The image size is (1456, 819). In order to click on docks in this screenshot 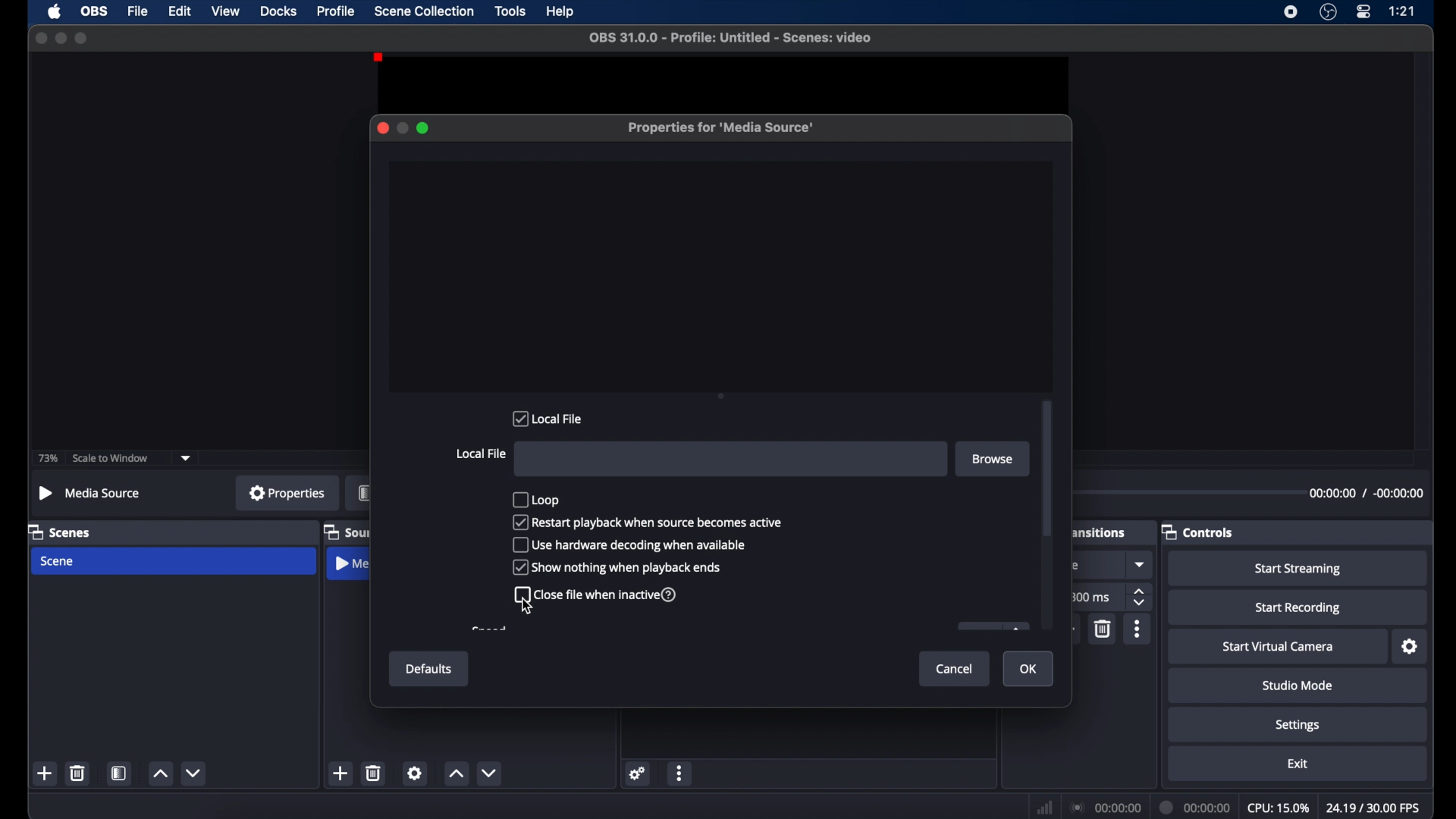, I will do `click(278, 11)`.